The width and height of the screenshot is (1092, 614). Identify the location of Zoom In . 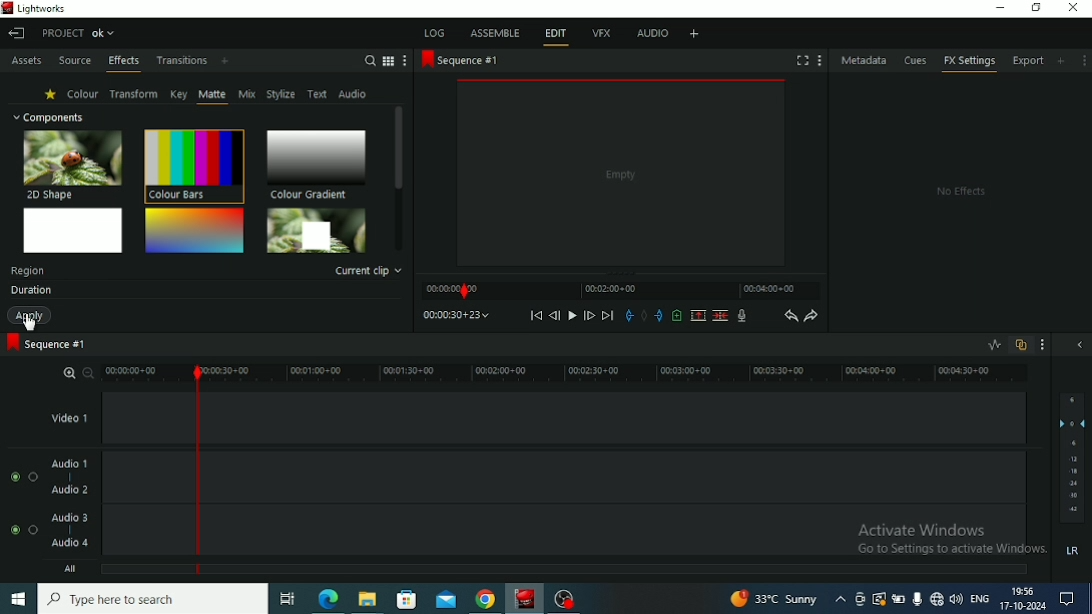
(70, 371).